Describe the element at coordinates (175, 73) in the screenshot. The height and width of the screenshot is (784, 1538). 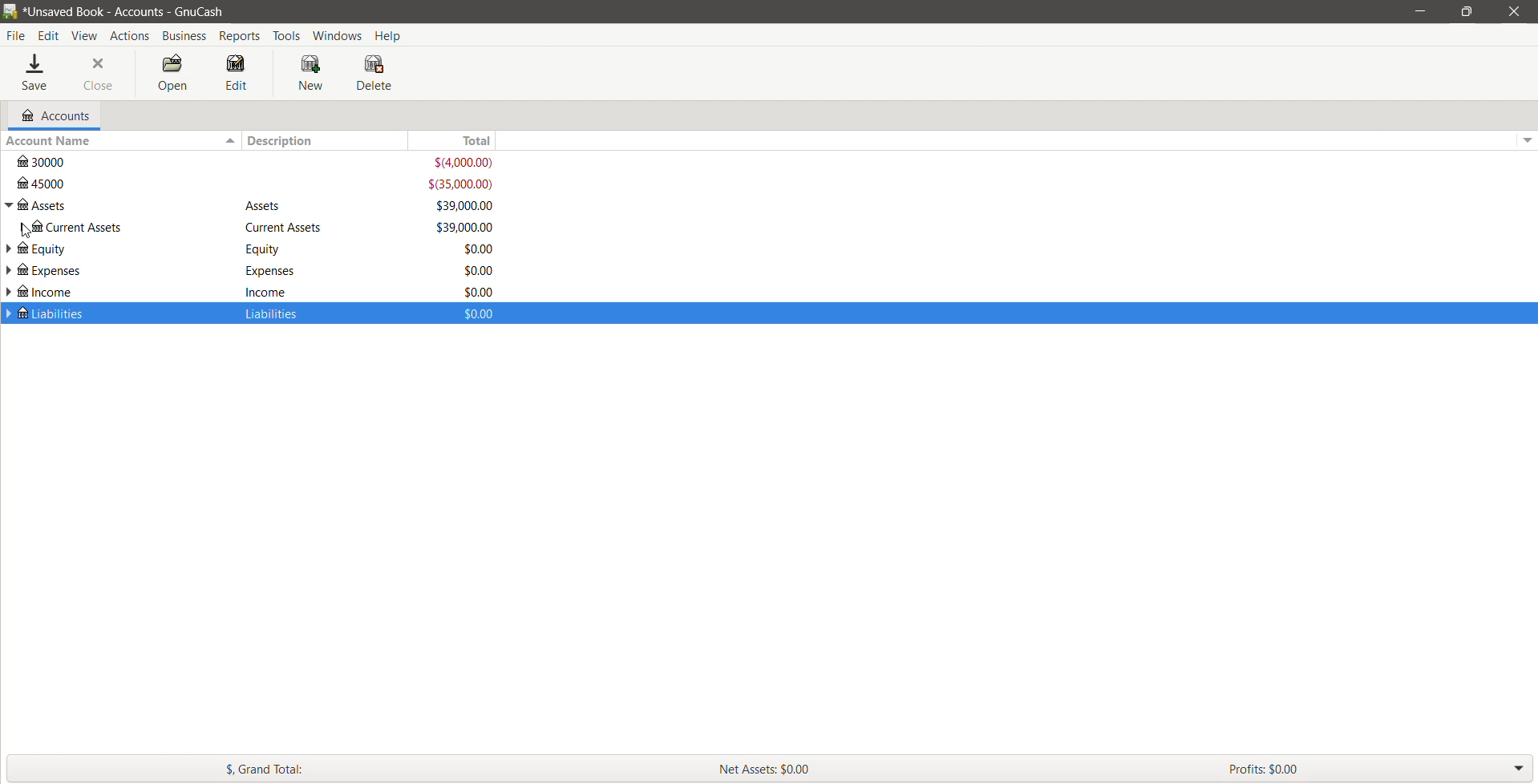
I see `Open` at that location.